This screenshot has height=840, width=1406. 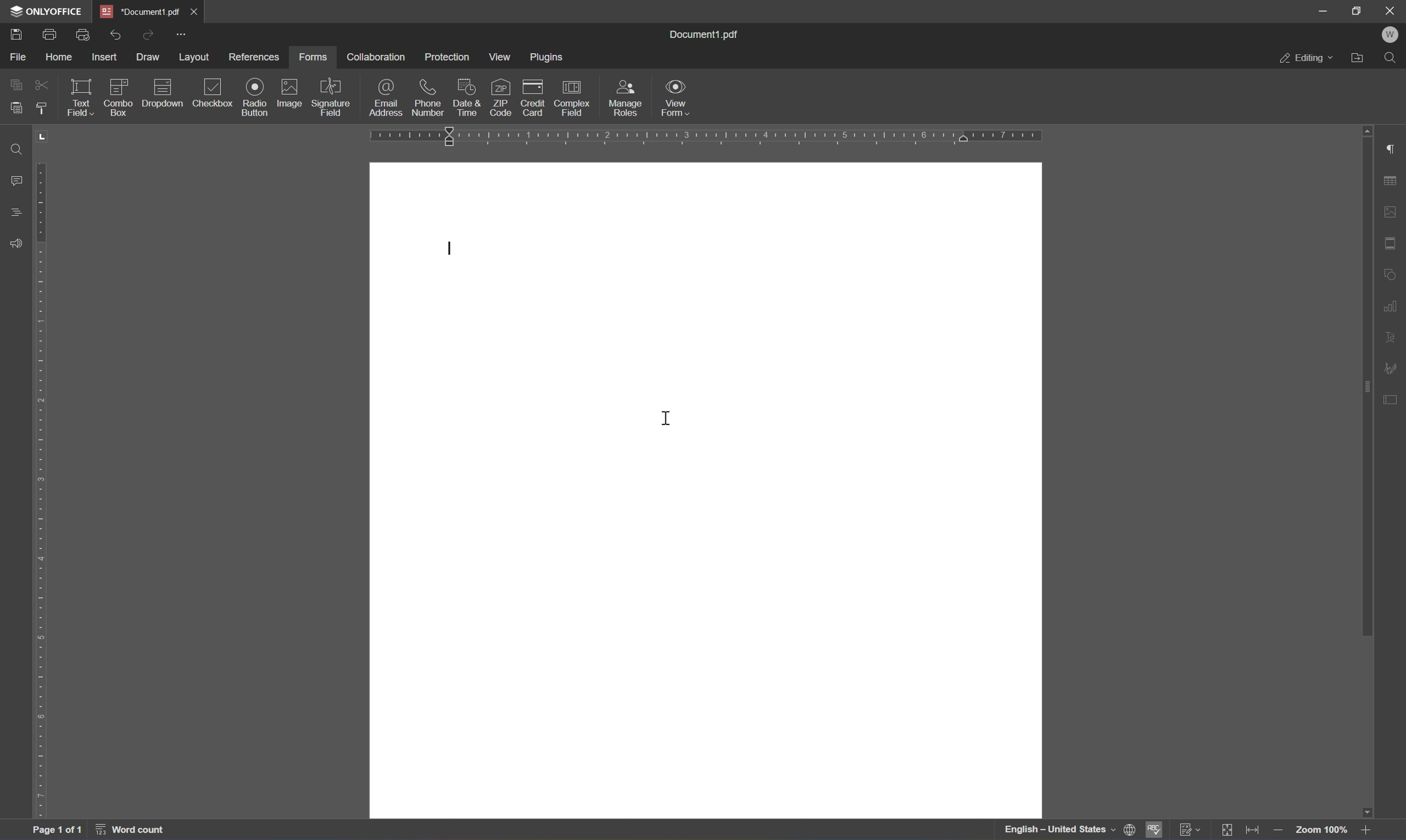 What do you see at coordinates (1392, 337) in the screenshot?
I see `text art settings` at bounding box center [1392, 337].